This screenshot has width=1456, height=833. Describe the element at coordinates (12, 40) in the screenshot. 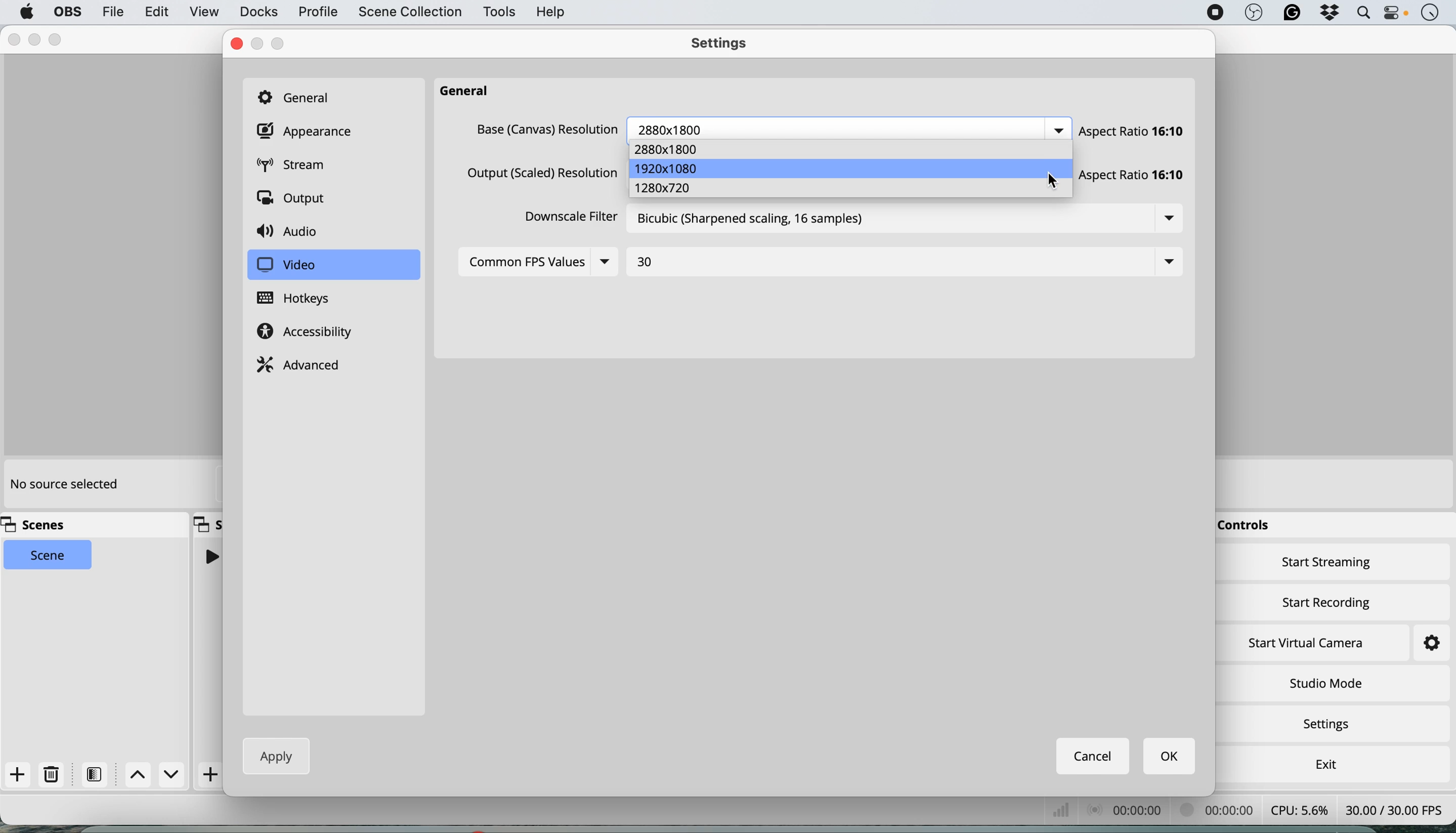

I see `close` at that location.